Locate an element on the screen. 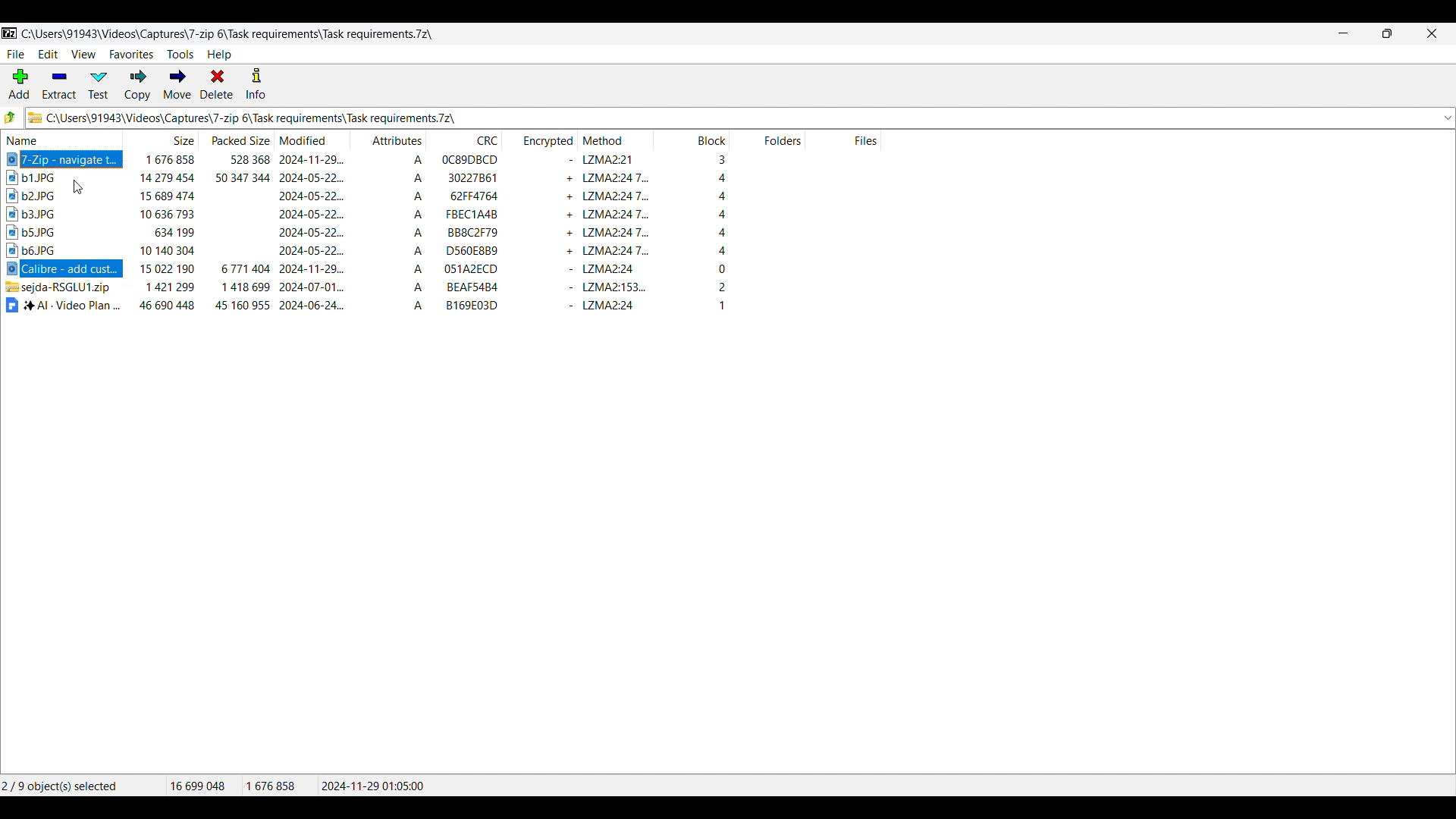 Image resolution: width=1456 pixels, height=819 pixels. dropdown is located at coordinates (1447, 118).